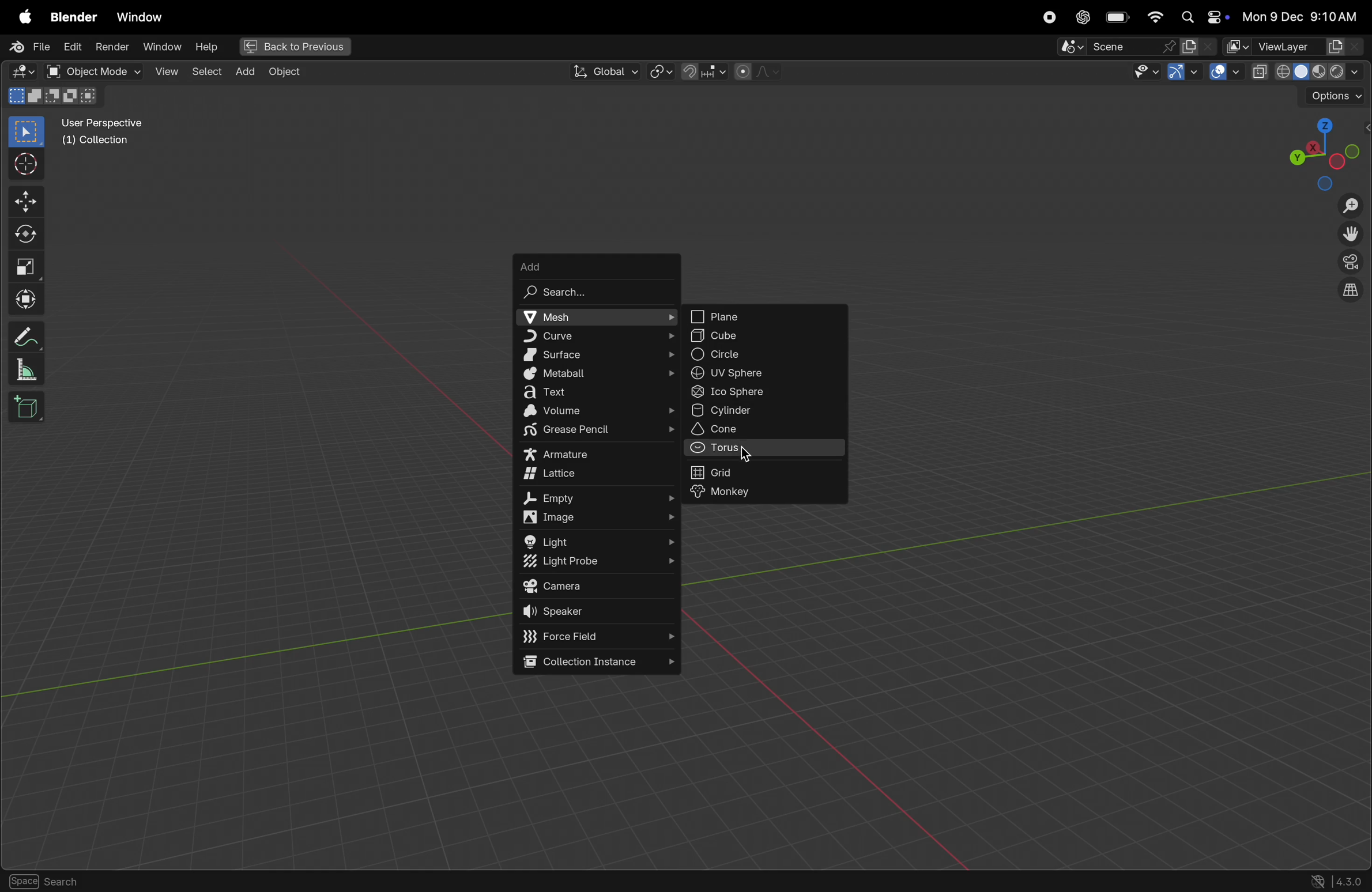 This screenshot has height=892, width=1372. What do you see at coordinates (1304, 16) in the screenshot?
I see `date and time` at bounding box center [1304, 16].